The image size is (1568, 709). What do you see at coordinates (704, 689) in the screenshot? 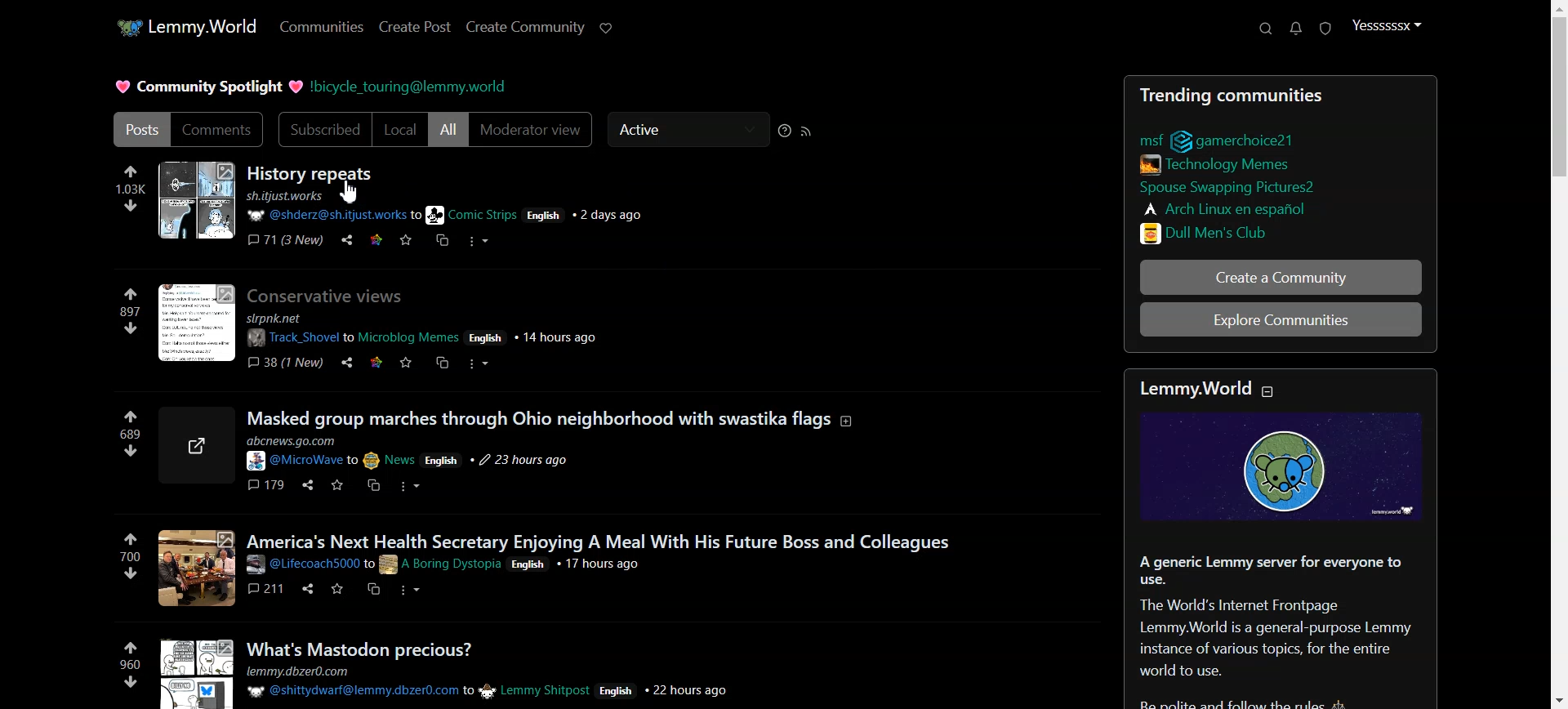
I see `22 hours ago` at bounding box center [704, 689].